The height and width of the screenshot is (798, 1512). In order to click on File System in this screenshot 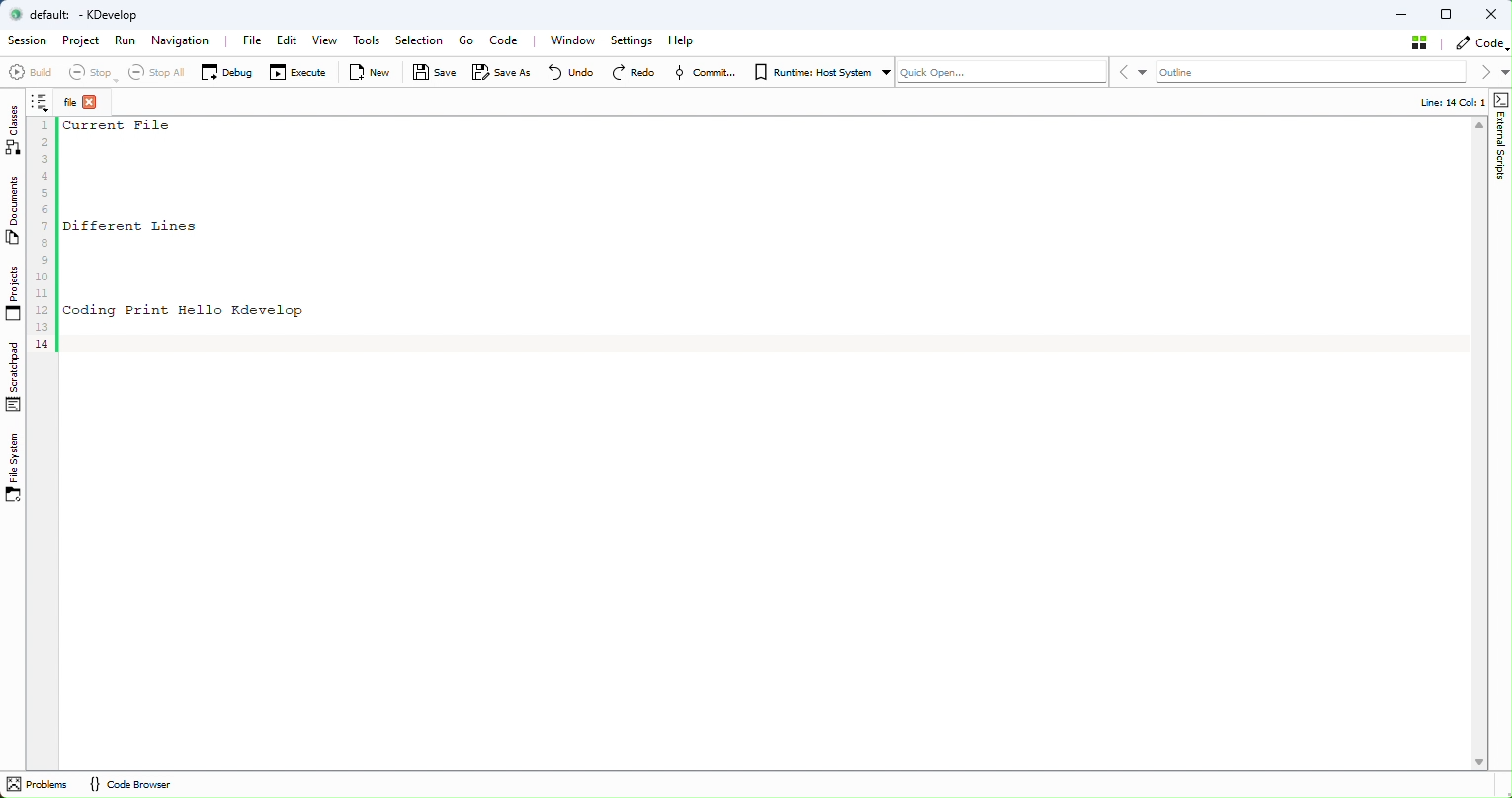, I will do `click(17, 468)`.